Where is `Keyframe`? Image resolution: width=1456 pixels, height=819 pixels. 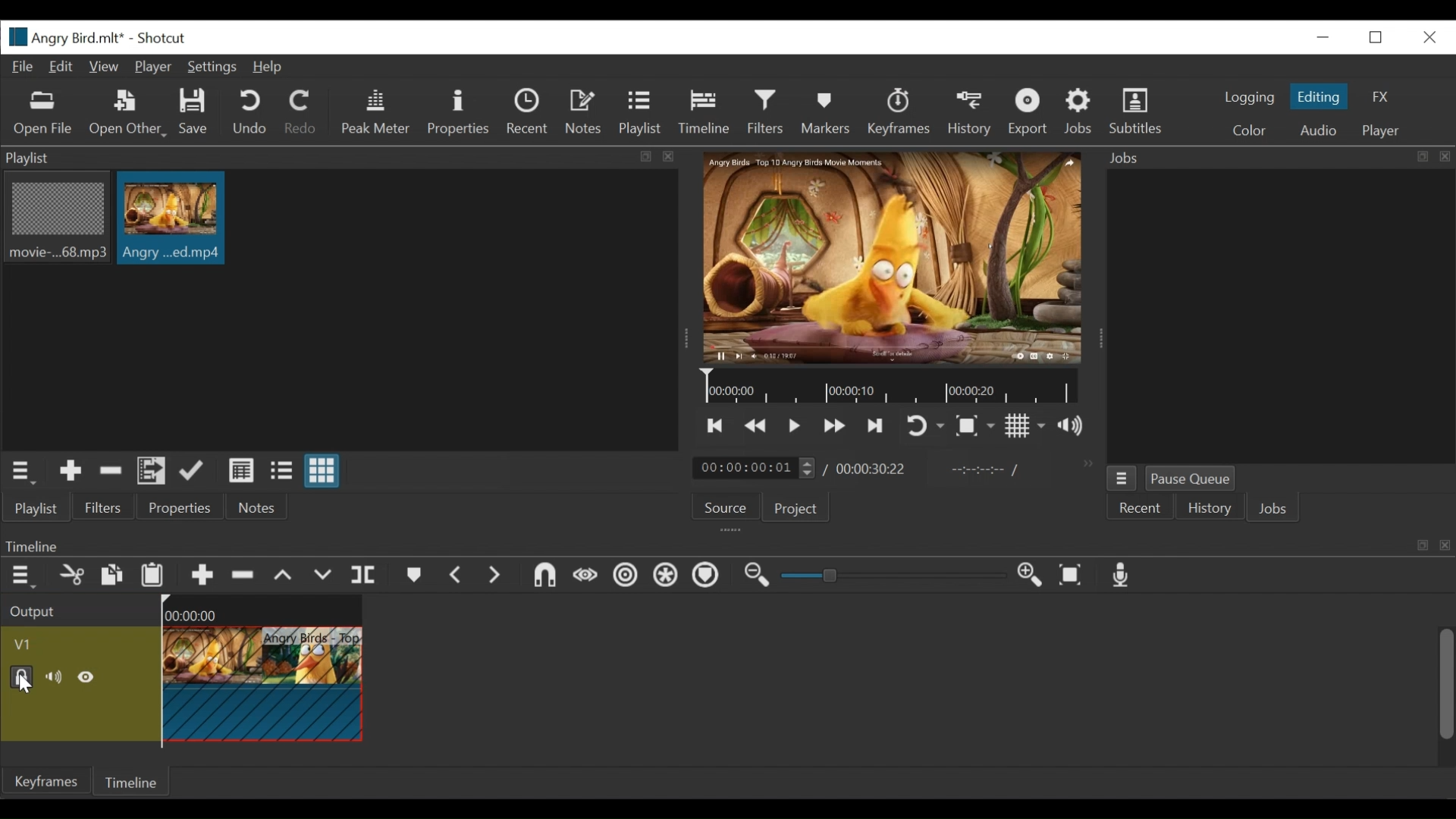 Keyframe is located at coordinates (42, 780).